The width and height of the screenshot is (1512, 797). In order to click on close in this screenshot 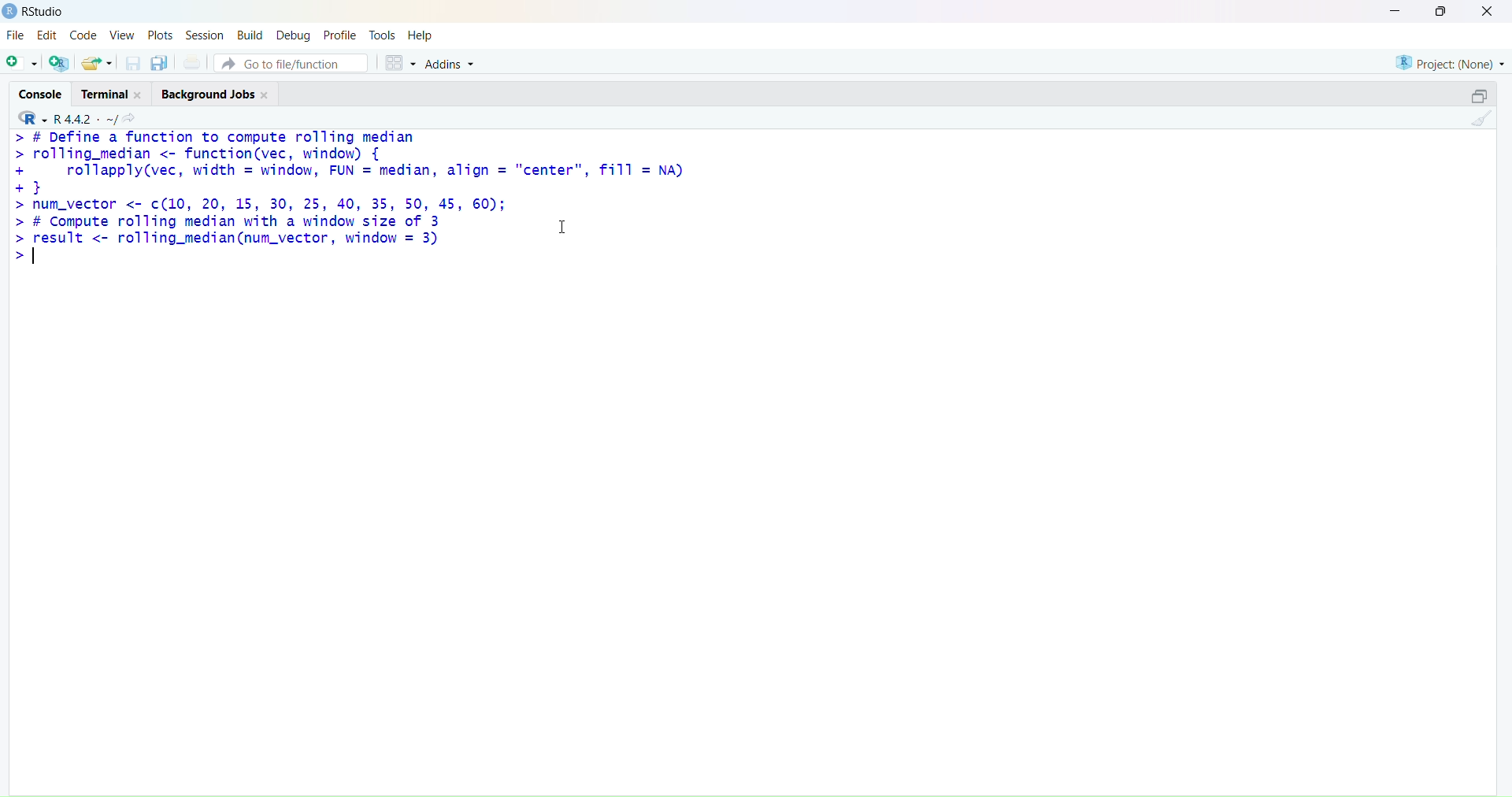, I will do `click(1488, 10)`.